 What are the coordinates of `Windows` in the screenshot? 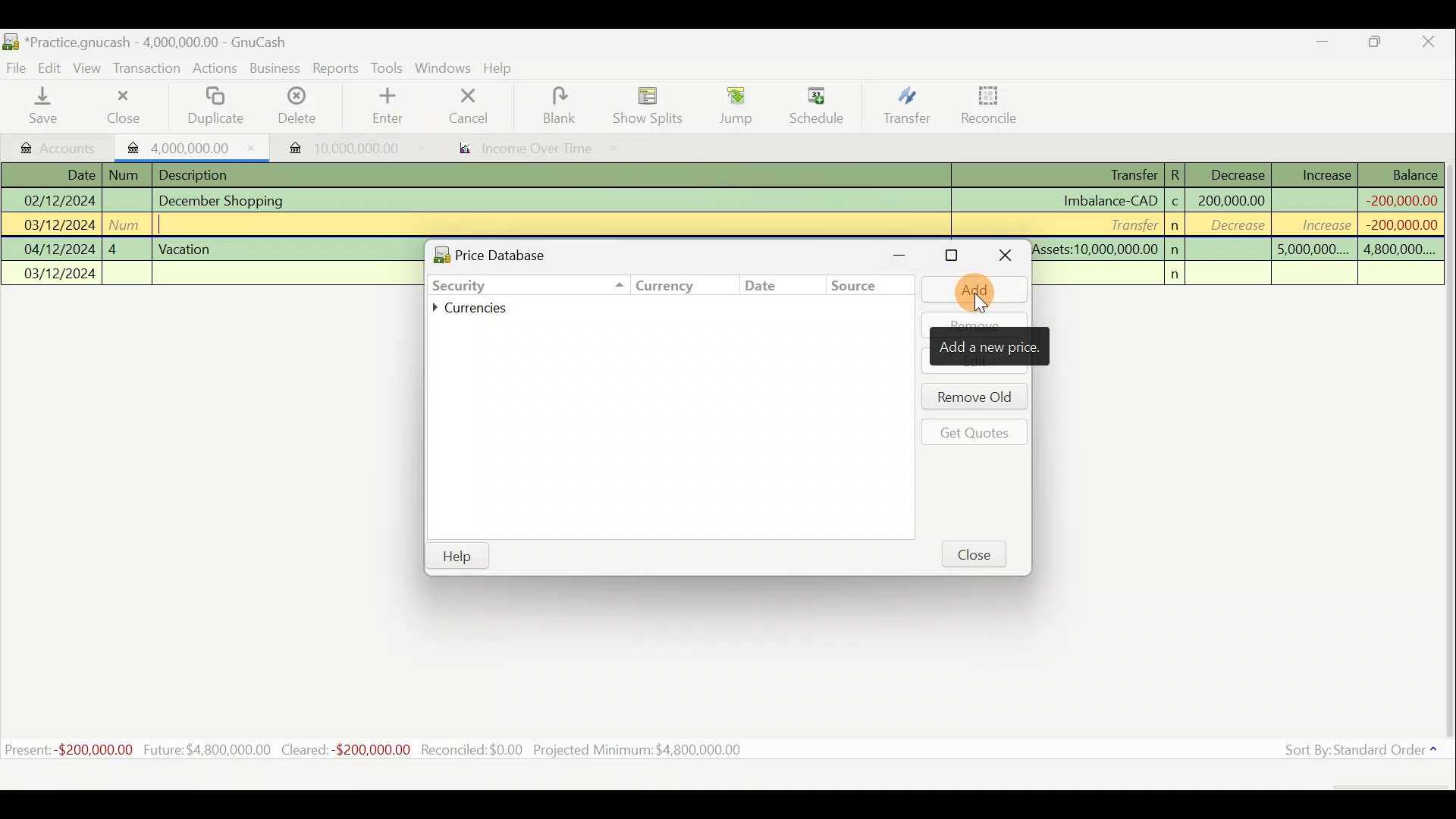 It's located at (443, 68).